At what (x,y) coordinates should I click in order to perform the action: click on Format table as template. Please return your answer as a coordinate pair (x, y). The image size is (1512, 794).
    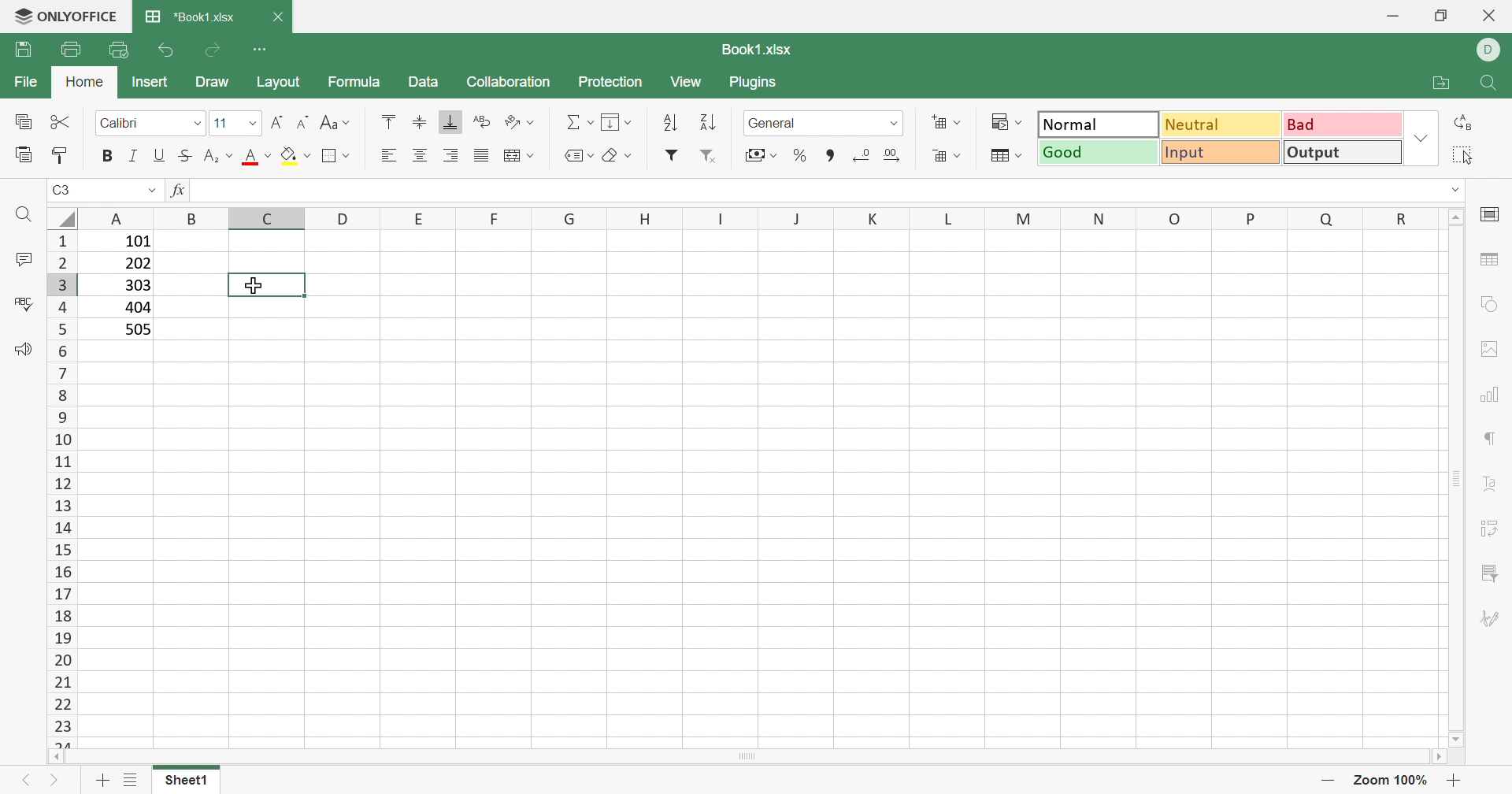
    Looking at the image, I should click on (1007, 160).